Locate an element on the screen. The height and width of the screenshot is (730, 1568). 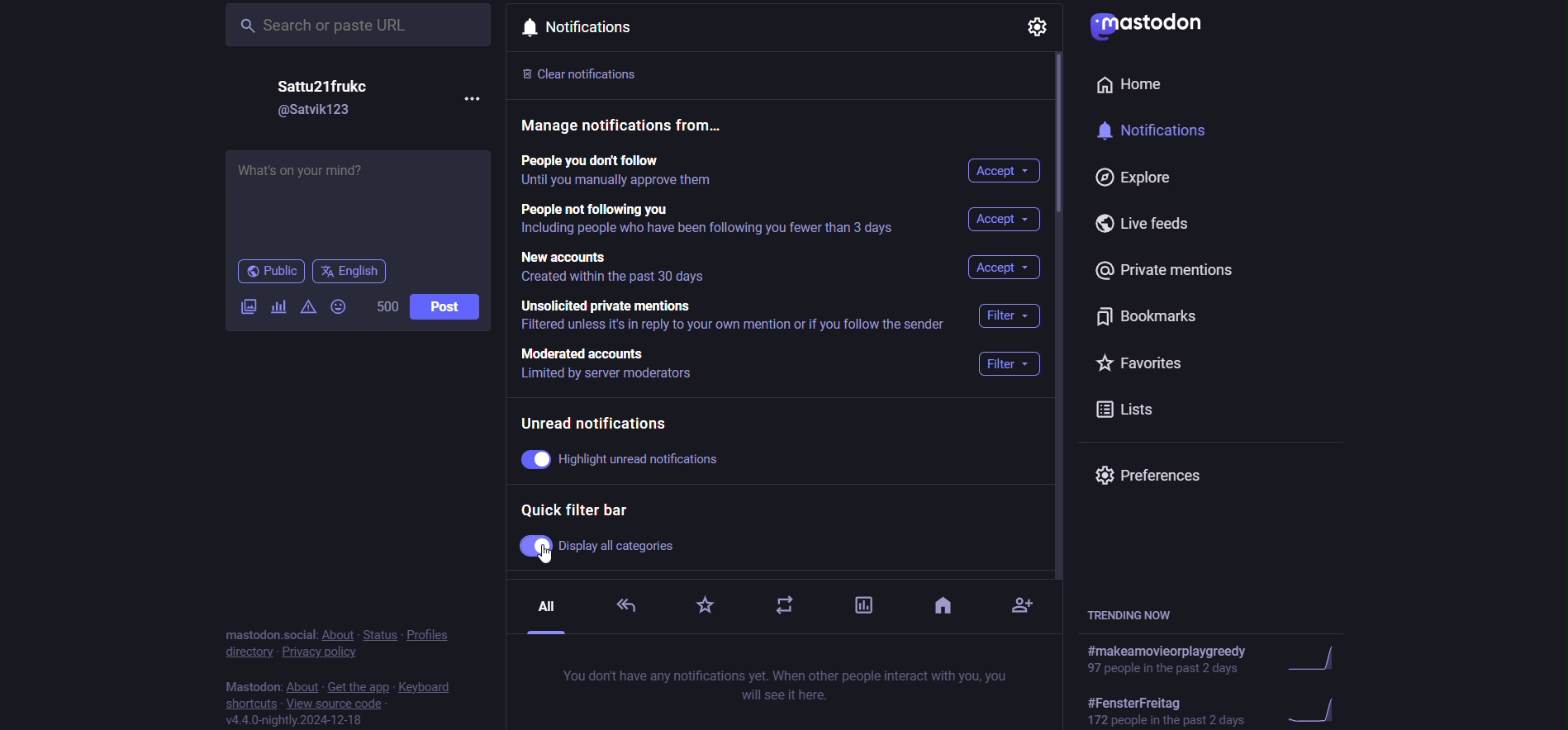
FenstarFreltag 172 people in the past 2 days is located at coordinates (1167, 711).